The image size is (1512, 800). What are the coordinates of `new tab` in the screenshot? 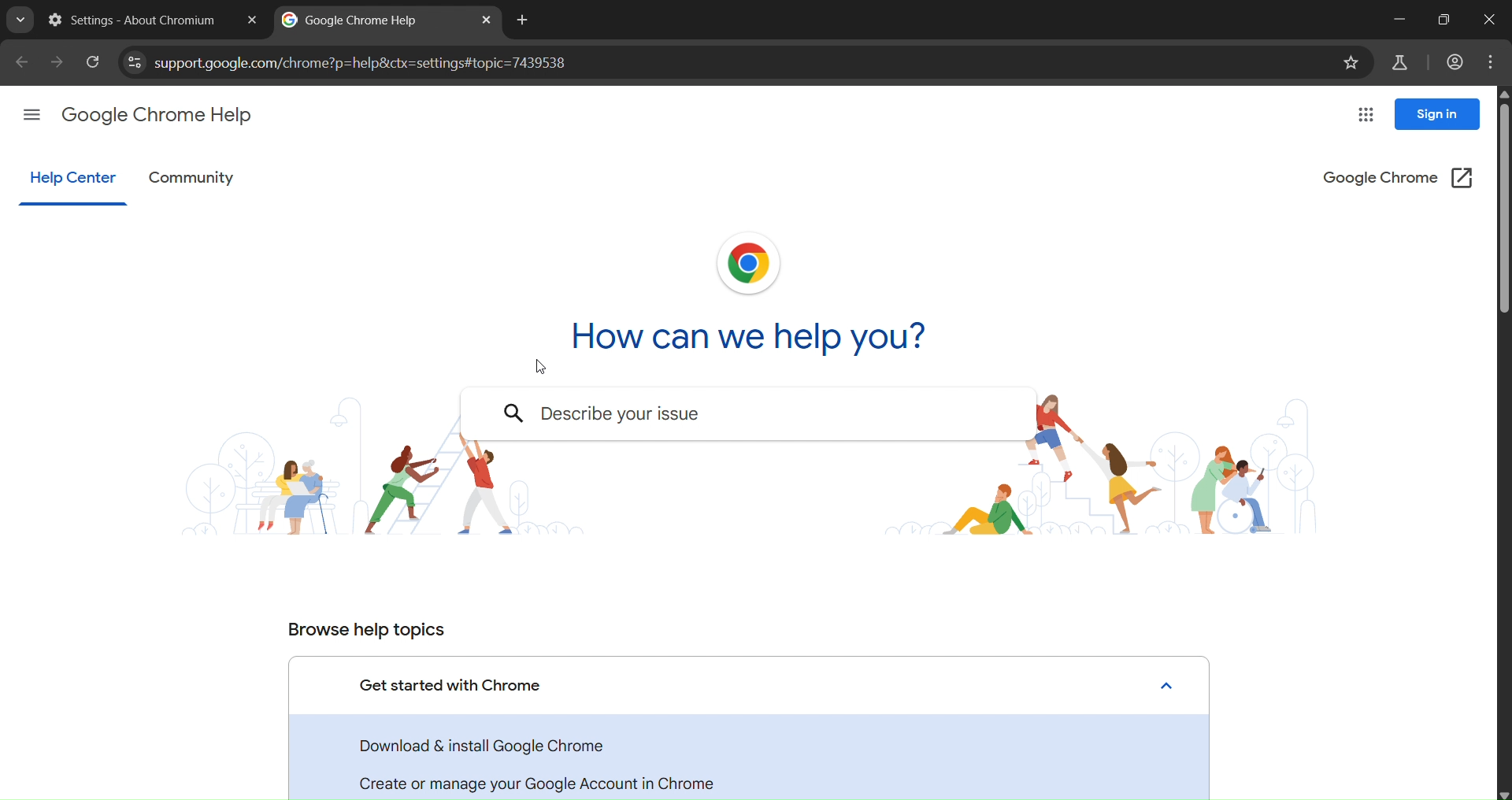 It's located at (524, 20).